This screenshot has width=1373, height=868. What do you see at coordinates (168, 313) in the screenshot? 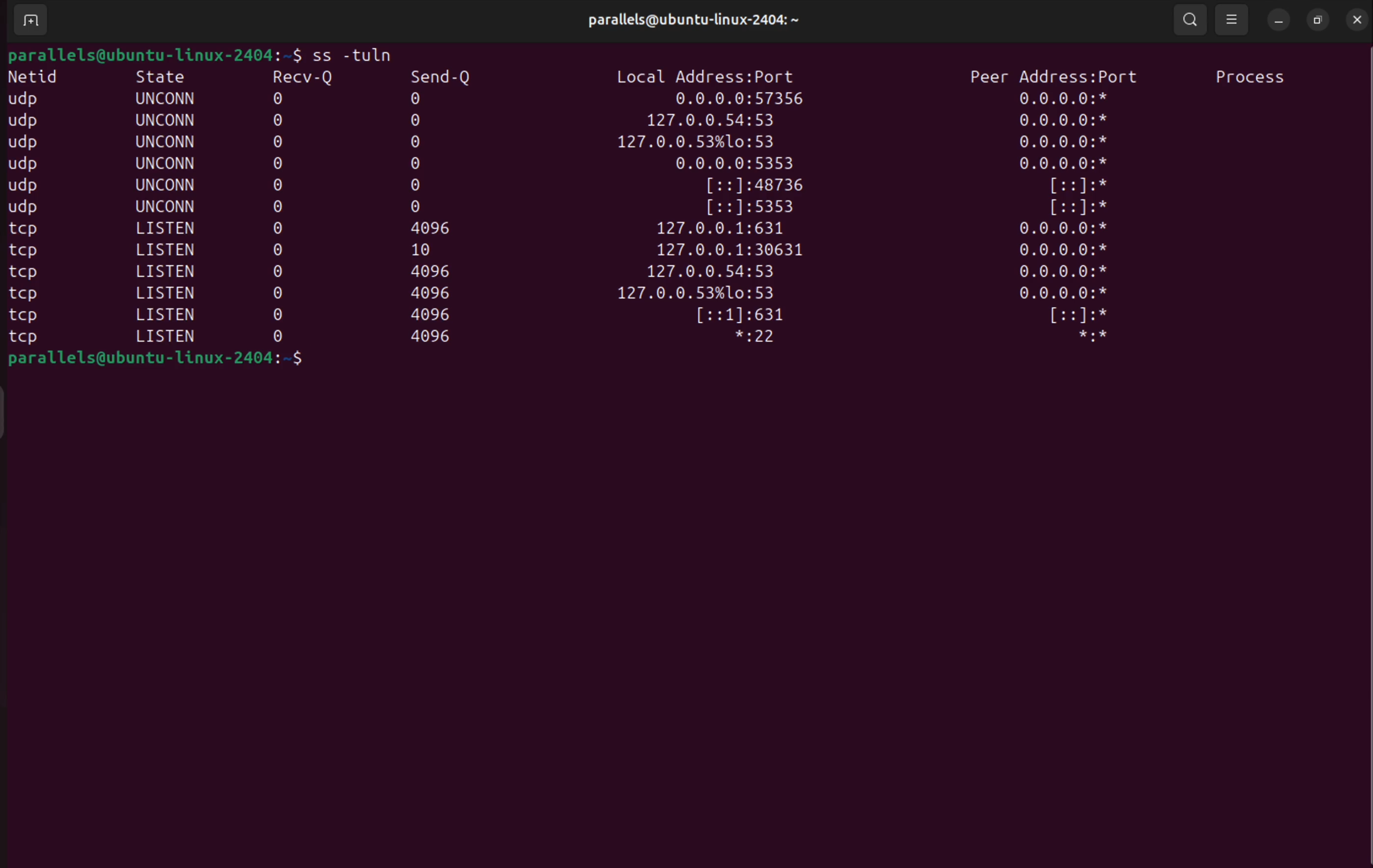
I see `listen` at bounding box center [168, 313].